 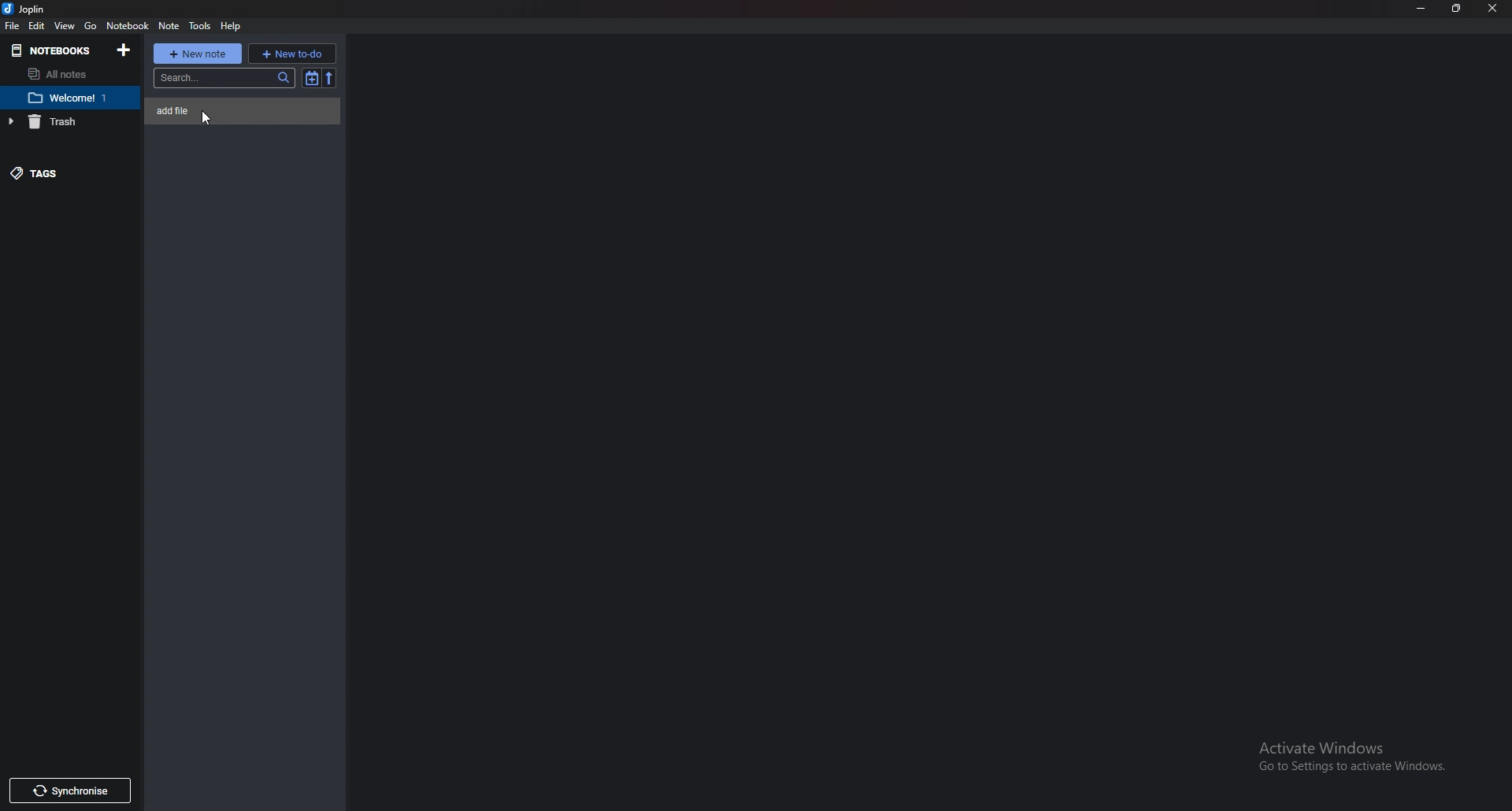 I want to click on trash, so click(x=61, y=122).